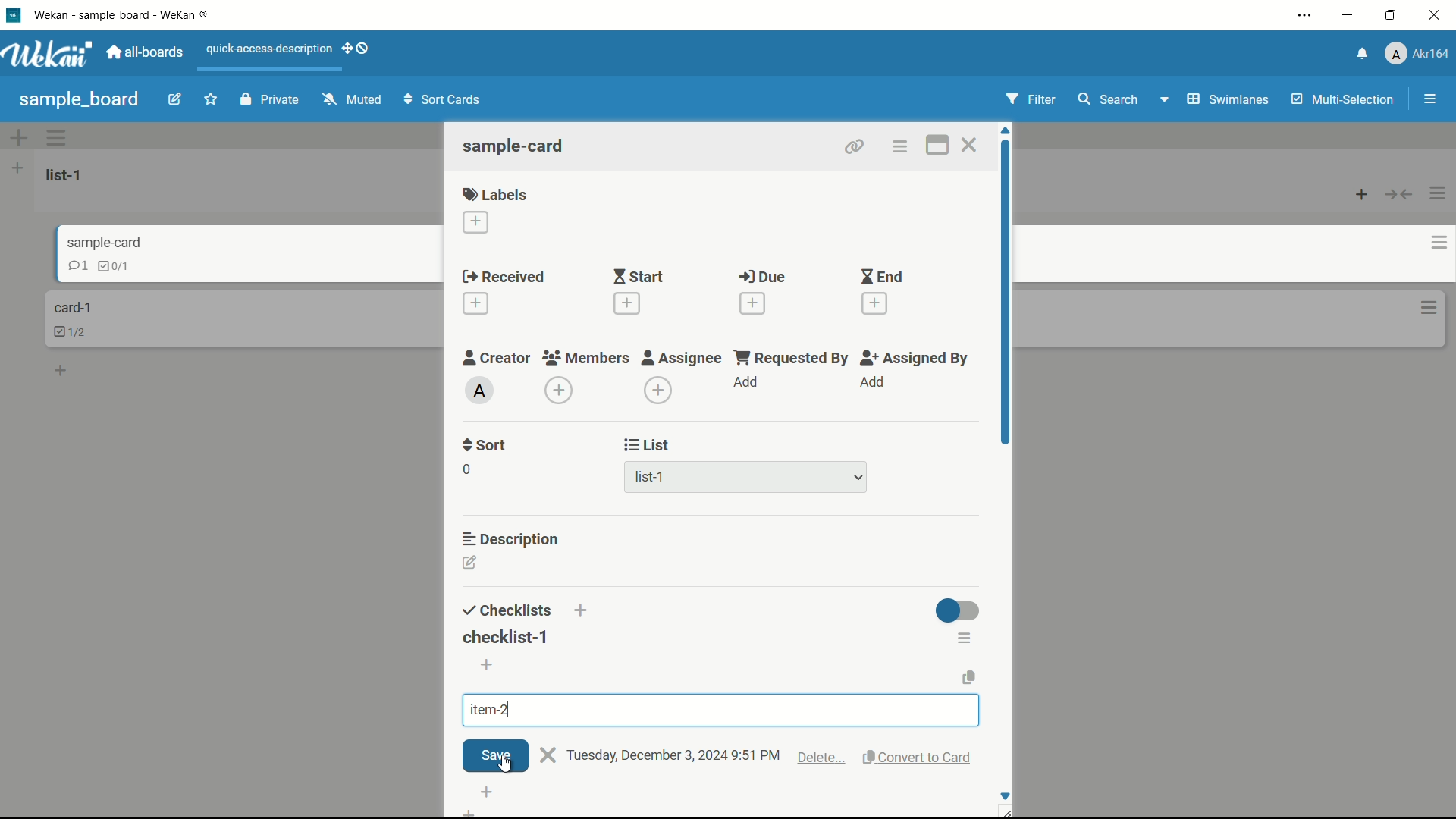 The height and width of the screenshot is (819, 1456). Describe the element at coordinates (504, 276) in the screenshot. I see `received` at that location.